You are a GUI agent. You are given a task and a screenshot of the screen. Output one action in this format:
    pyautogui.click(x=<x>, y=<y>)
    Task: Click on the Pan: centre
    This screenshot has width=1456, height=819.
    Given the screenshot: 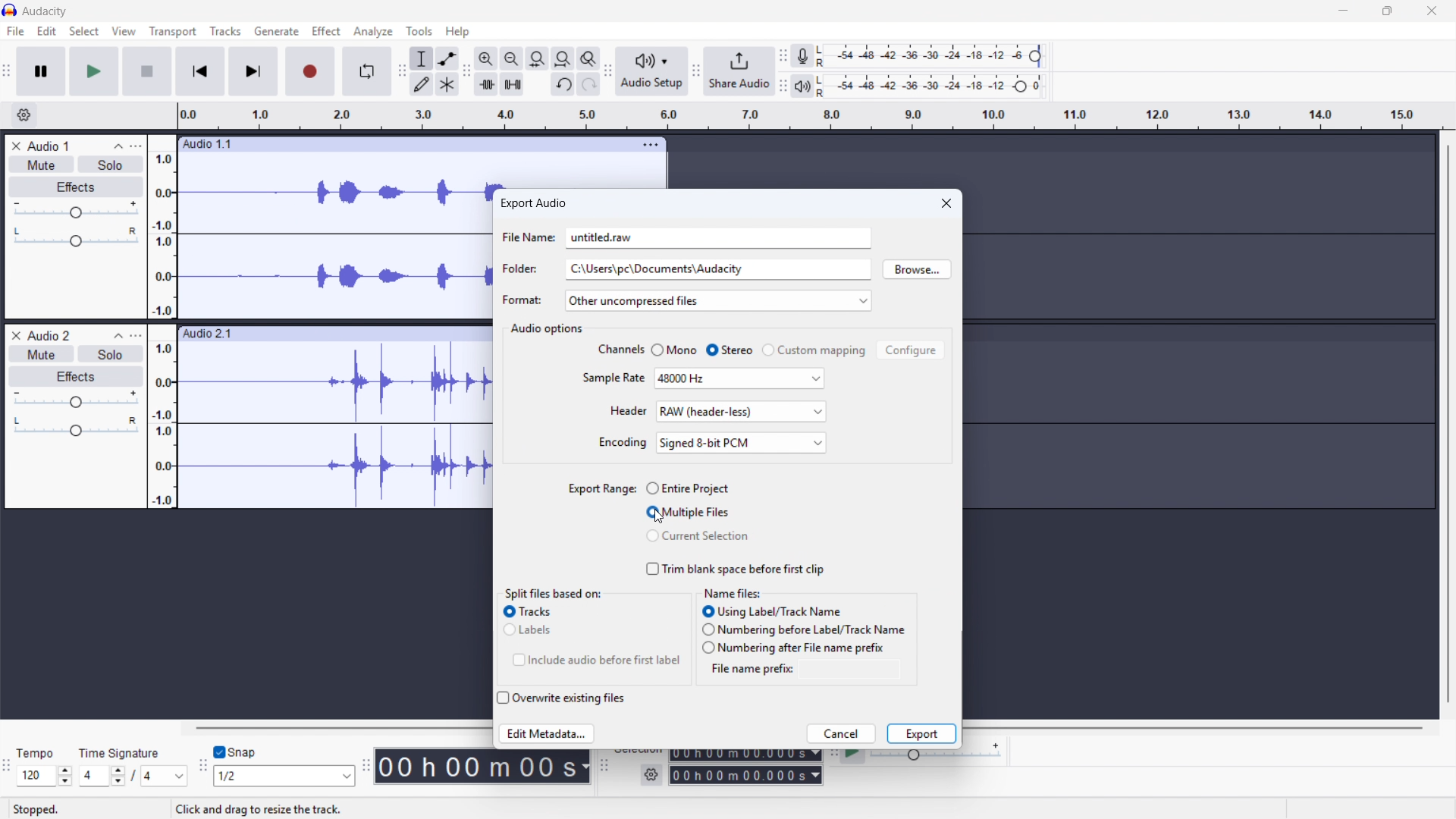 What is the action you would take?
    pyautogui.click(x=77, y=428)
    